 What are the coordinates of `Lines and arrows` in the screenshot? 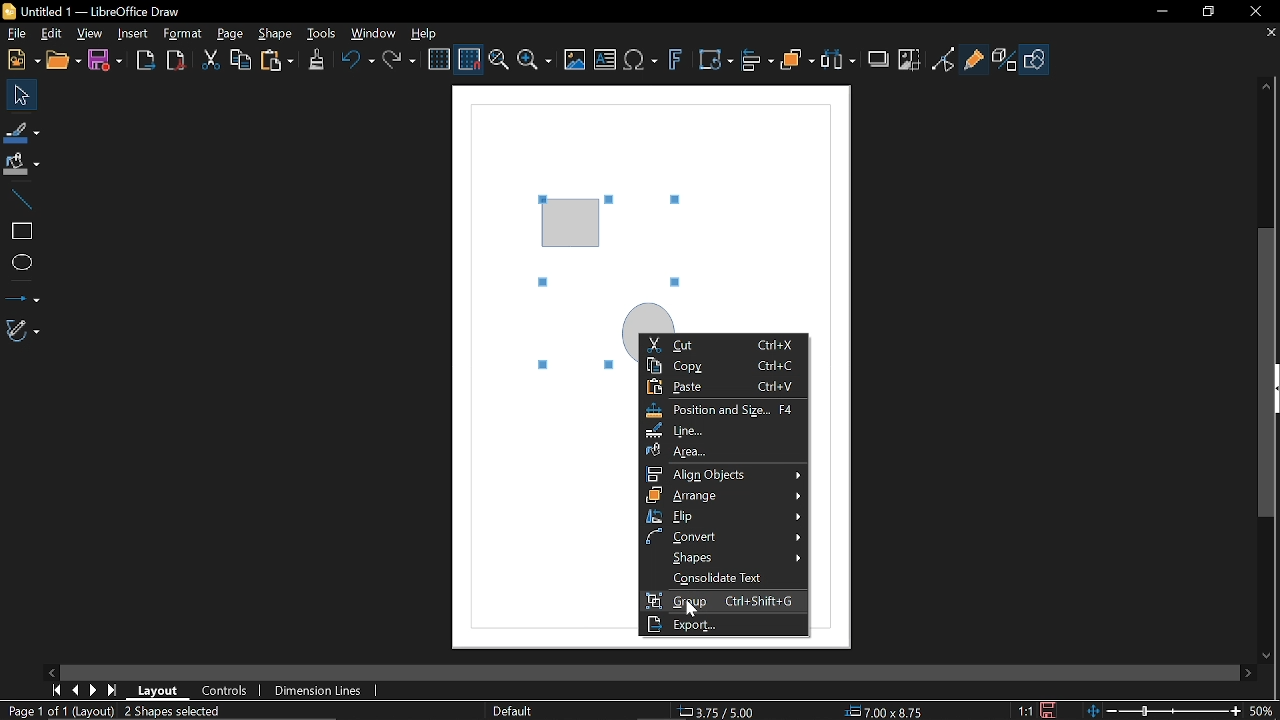 It's located at (21, 294).